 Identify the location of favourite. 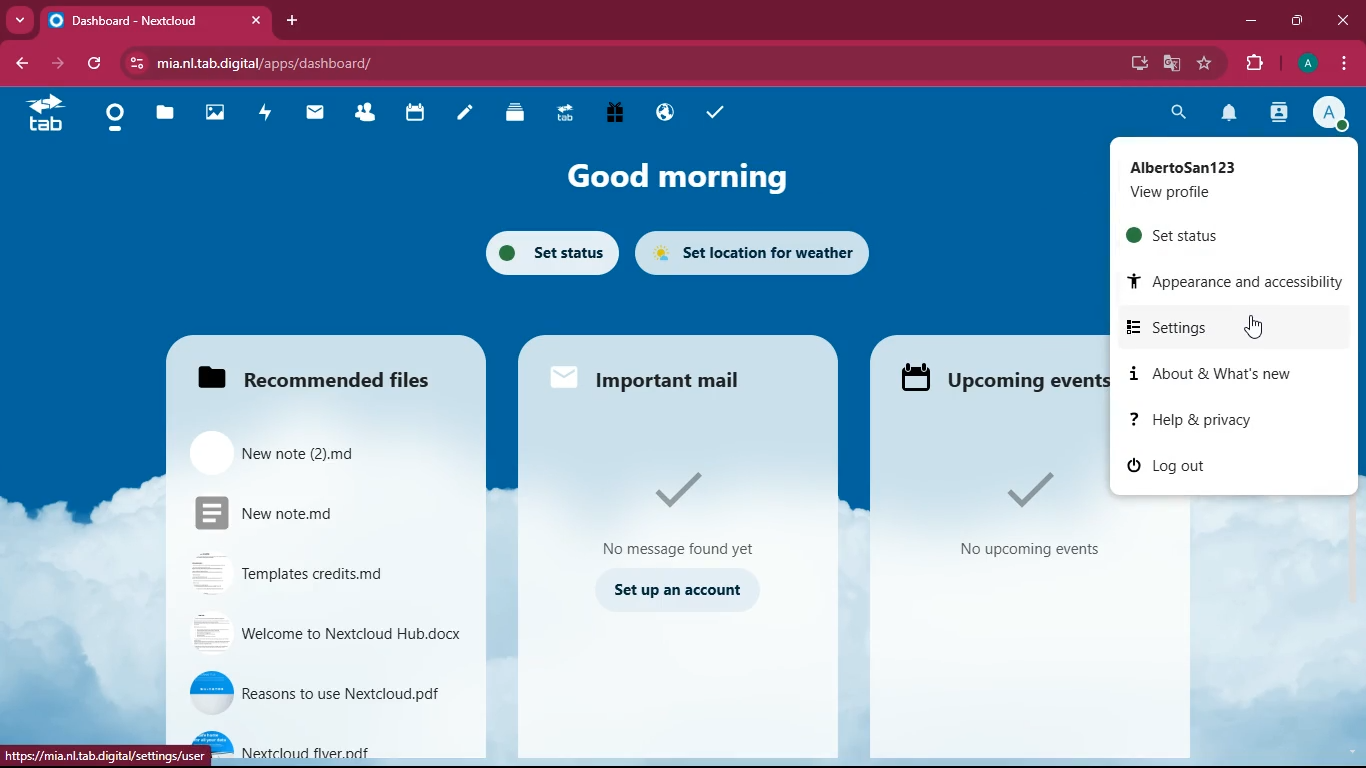
(1206, 63).